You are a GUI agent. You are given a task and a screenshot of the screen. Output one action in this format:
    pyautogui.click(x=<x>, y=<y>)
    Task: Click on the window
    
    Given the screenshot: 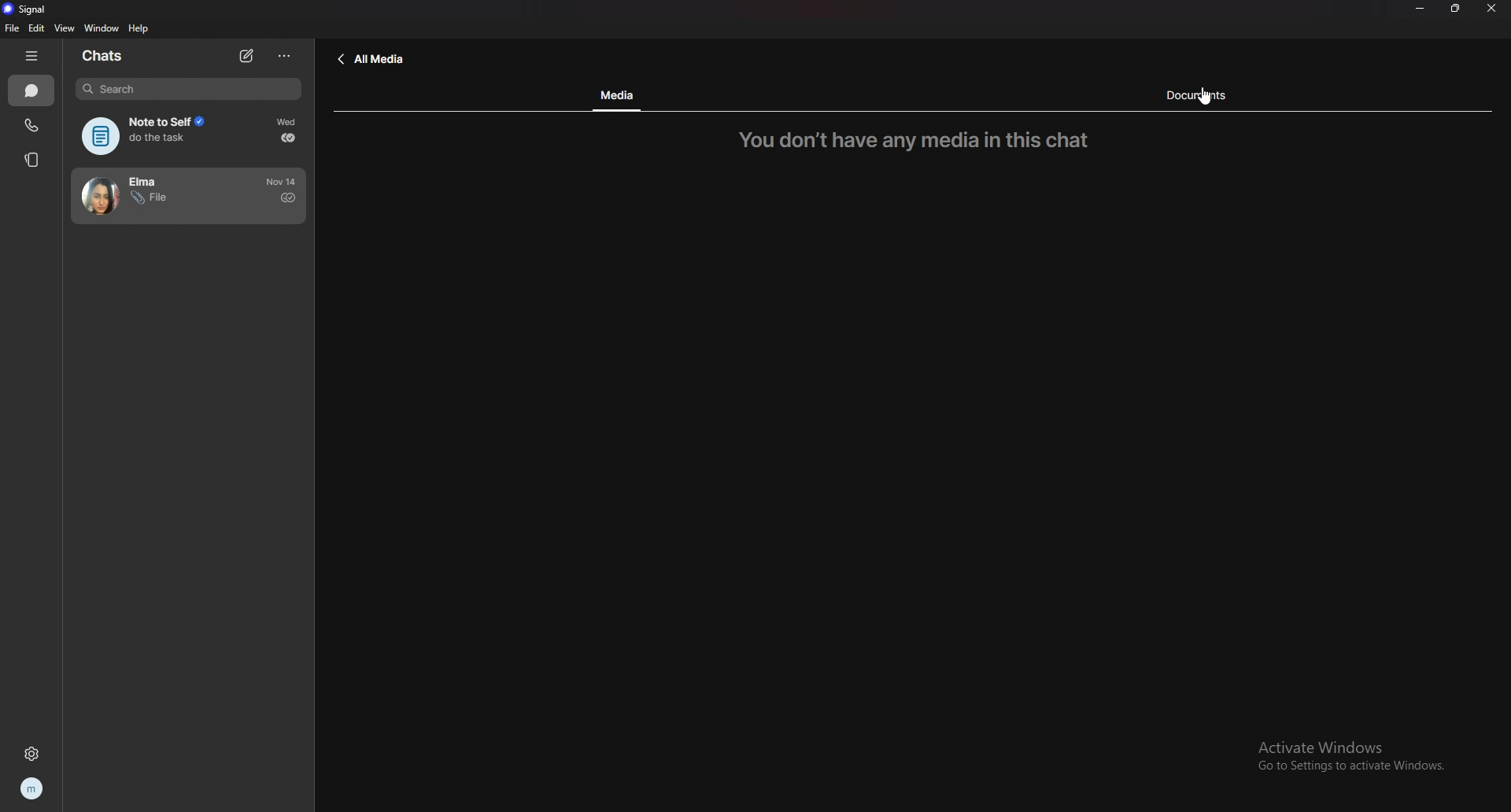 What is the action you would take?
    pyautogui.click(x=101, y=28)
    